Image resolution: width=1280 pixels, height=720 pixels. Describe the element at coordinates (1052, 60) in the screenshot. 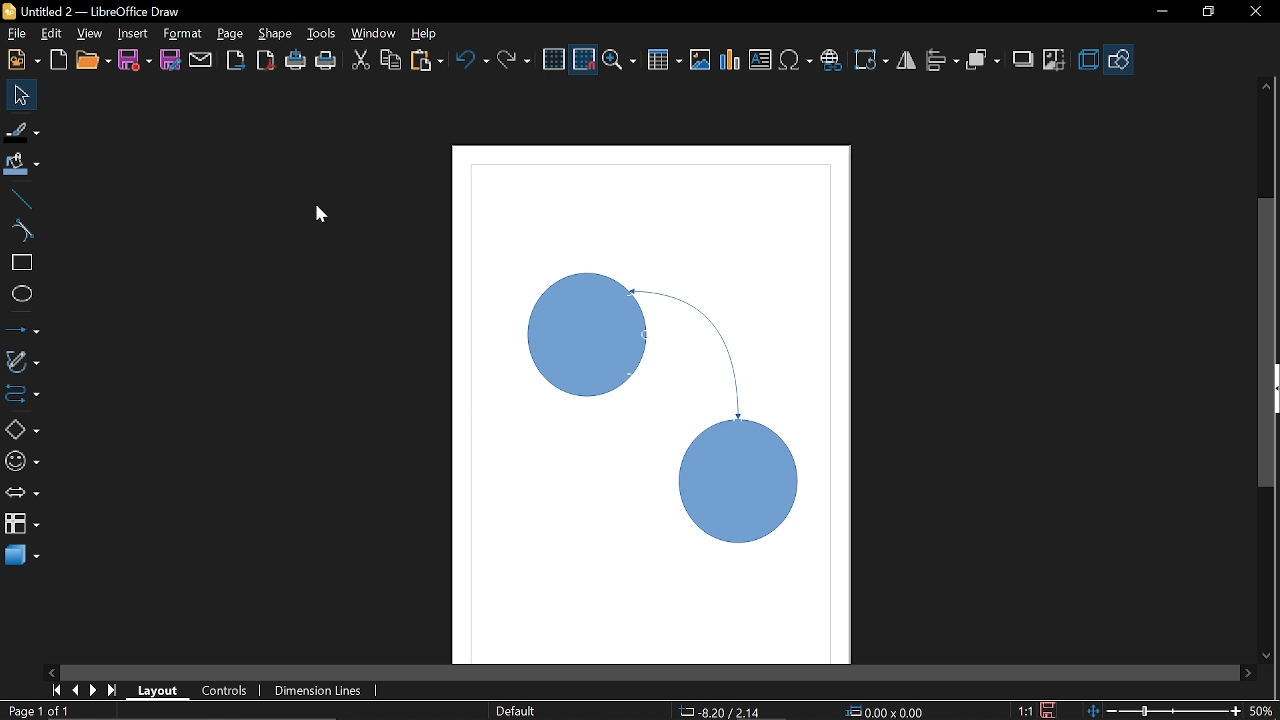

I see `Crop` at that location.